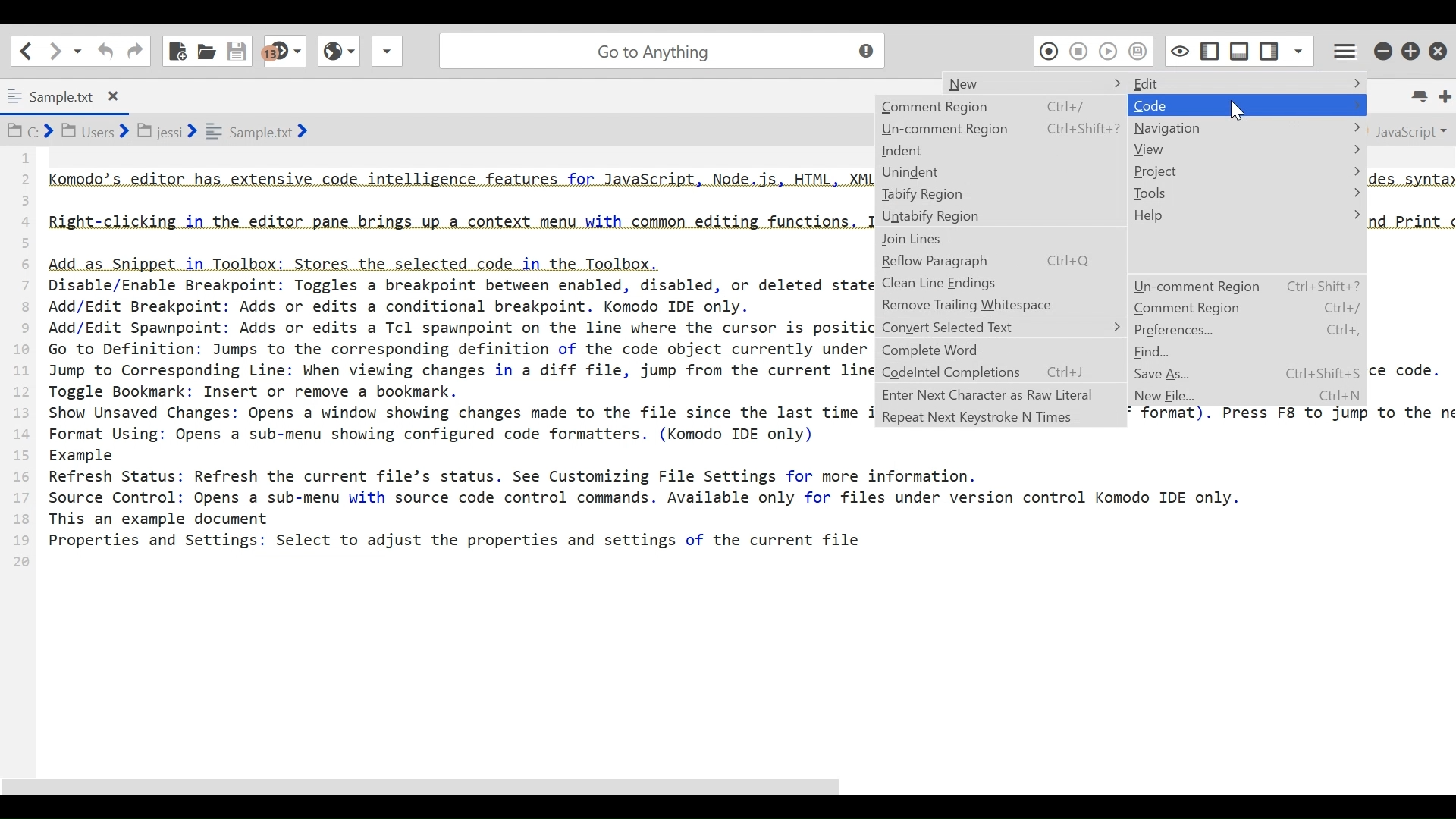  Describe the element at coordinates (1000, 373) in the screenshot. I see `CodeIntel Completions` at that location.